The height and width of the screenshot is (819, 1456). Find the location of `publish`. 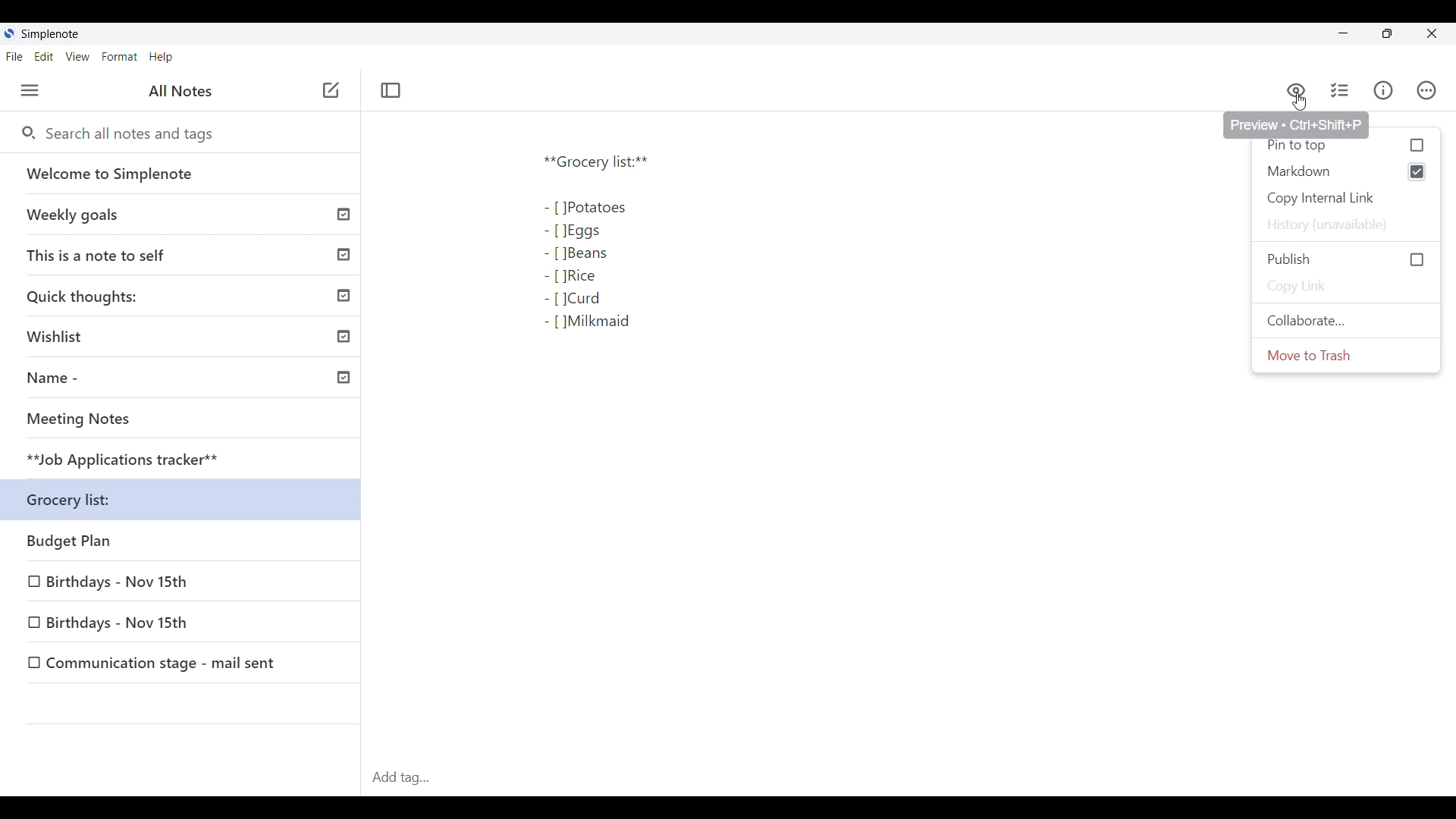

publish is located at coordinates (1348, 259).